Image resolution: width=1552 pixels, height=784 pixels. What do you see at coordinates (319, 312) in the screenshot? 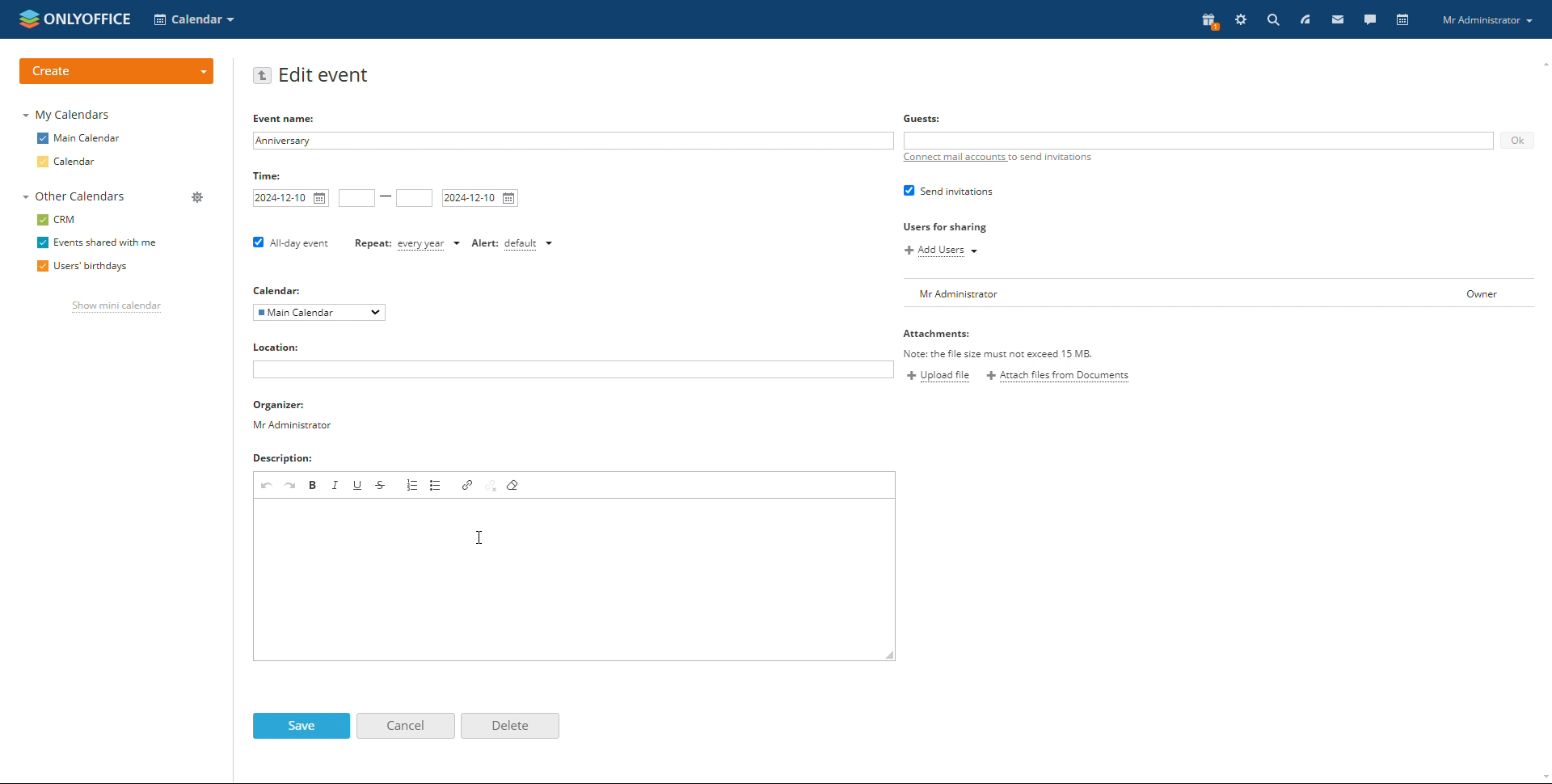
I see `select calendar` at bounding box center [319, 312].